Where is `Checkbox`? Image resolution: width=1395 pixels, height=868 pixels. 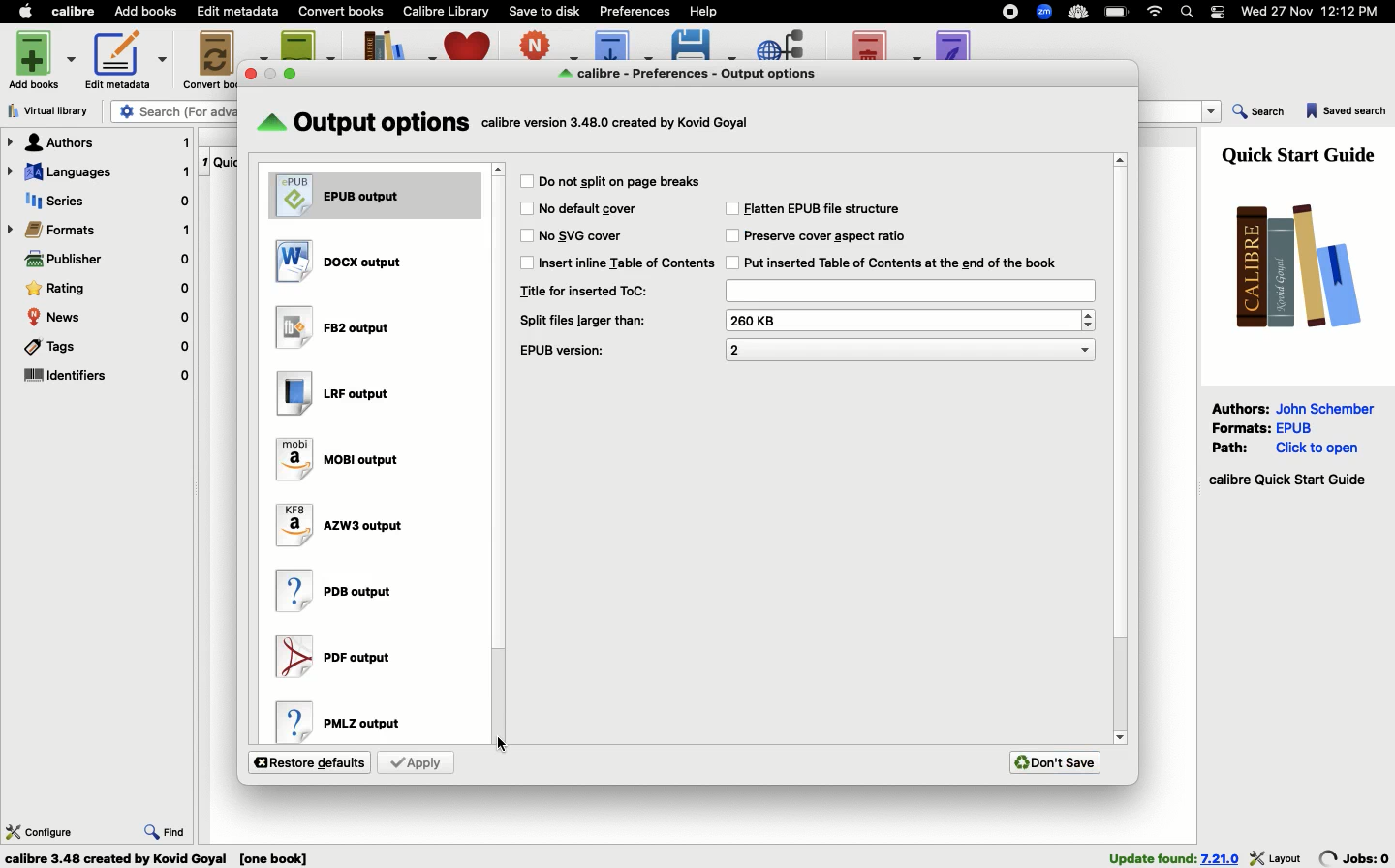
Checkbox is located at coordinates (526, 181).